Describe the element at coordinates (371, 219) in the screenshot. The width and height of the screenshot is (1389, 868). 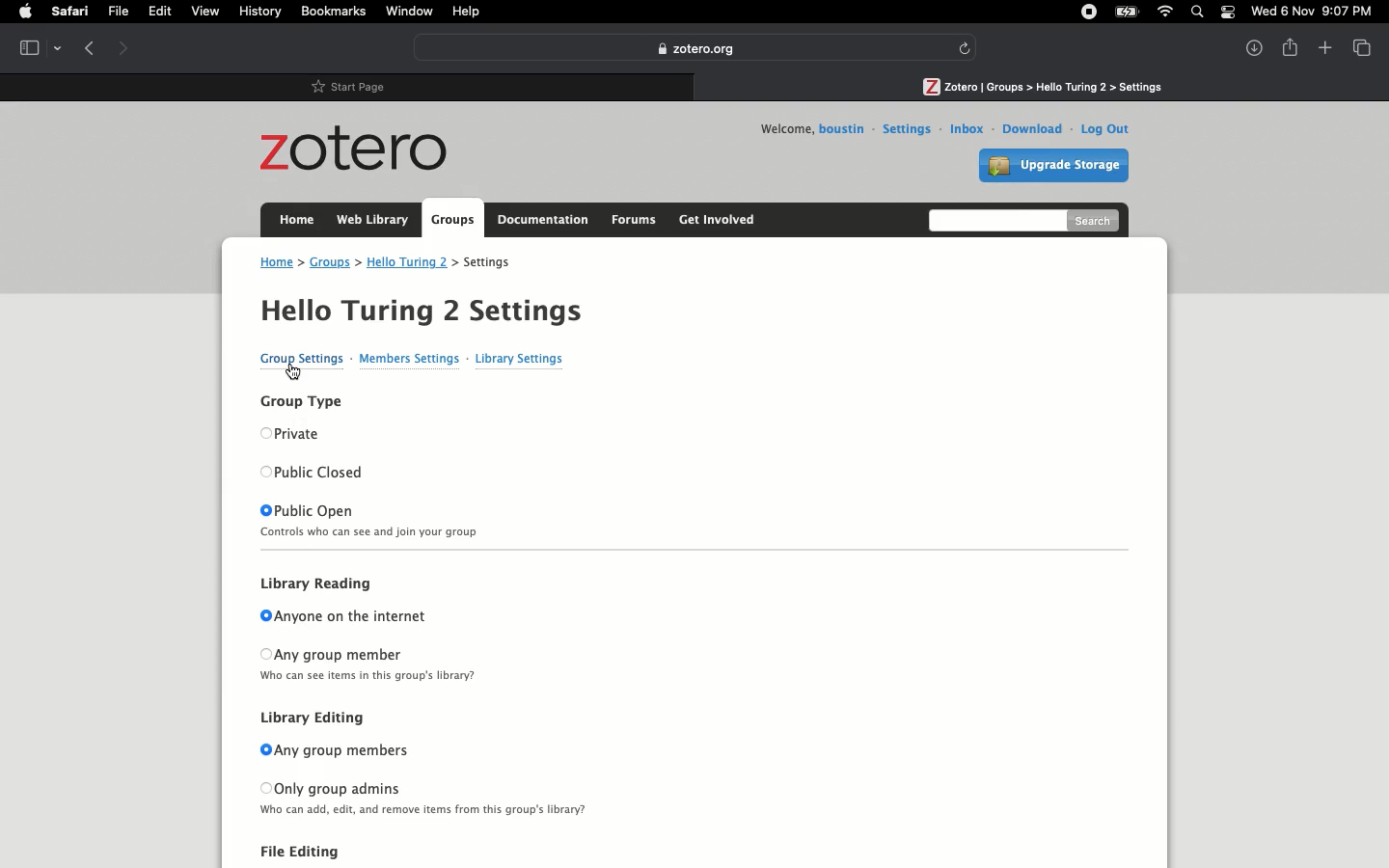
I see `Web library` at that location.